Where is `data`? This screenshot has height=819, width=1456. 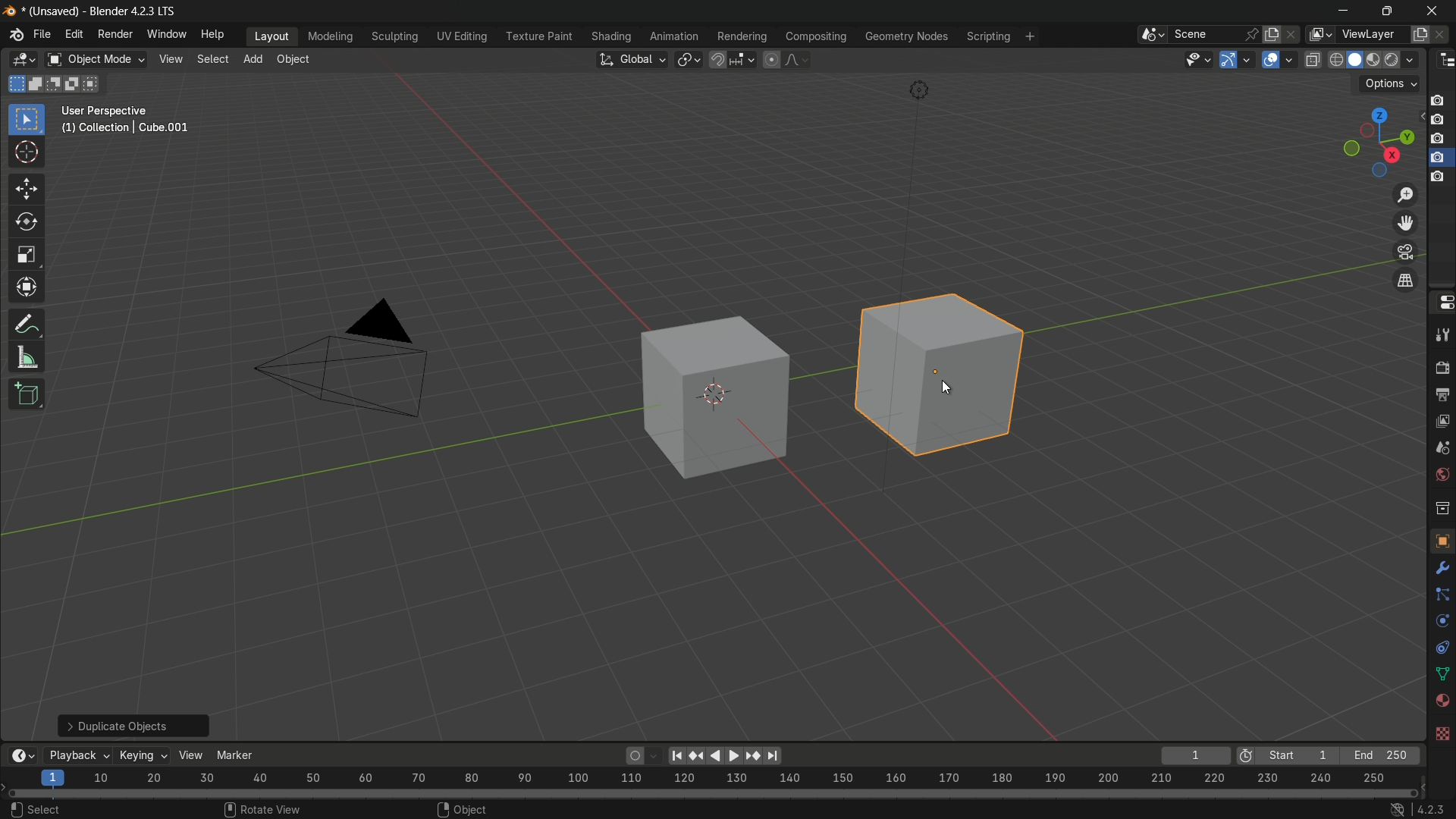
data is located at coordinates (1442, 673).